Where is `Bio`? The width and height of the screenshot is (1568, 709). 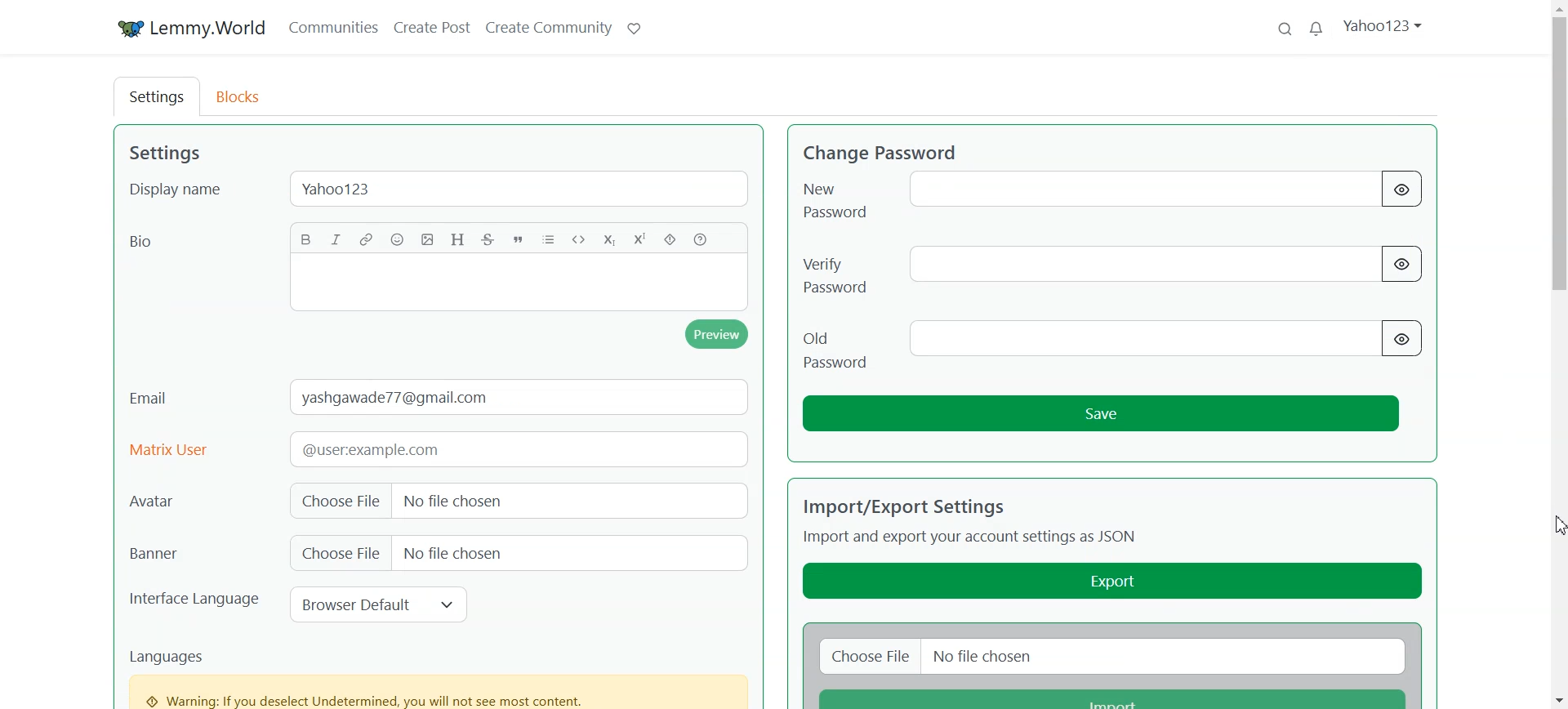 Bio is located at coordinates (149, 243).